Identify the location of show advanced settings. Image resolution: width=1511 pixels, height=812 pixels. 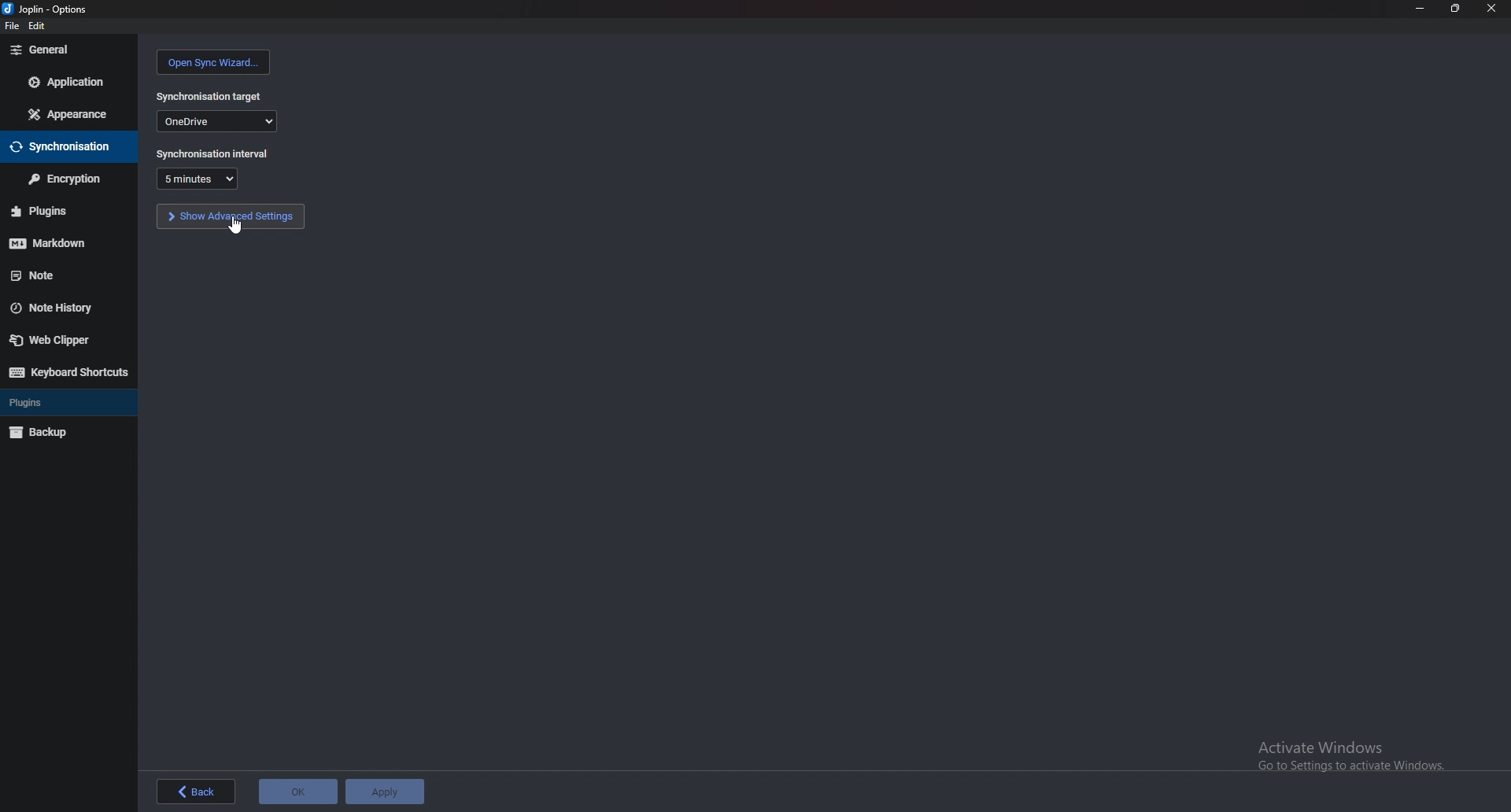
(231, 216).